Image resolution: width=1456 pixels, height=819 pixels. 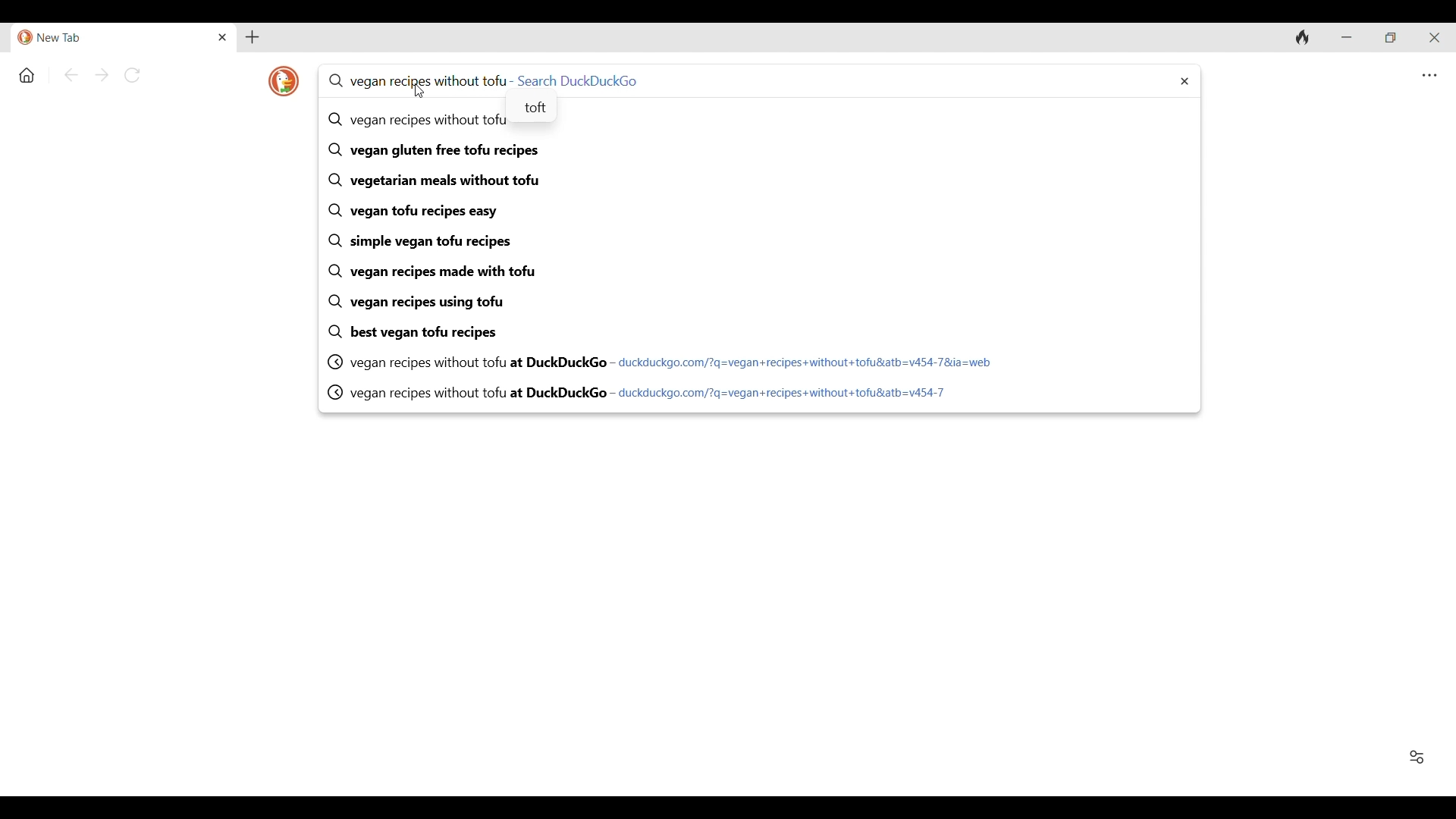 I want to click on best vegan tofu recipes, so click(x=758, y=333).